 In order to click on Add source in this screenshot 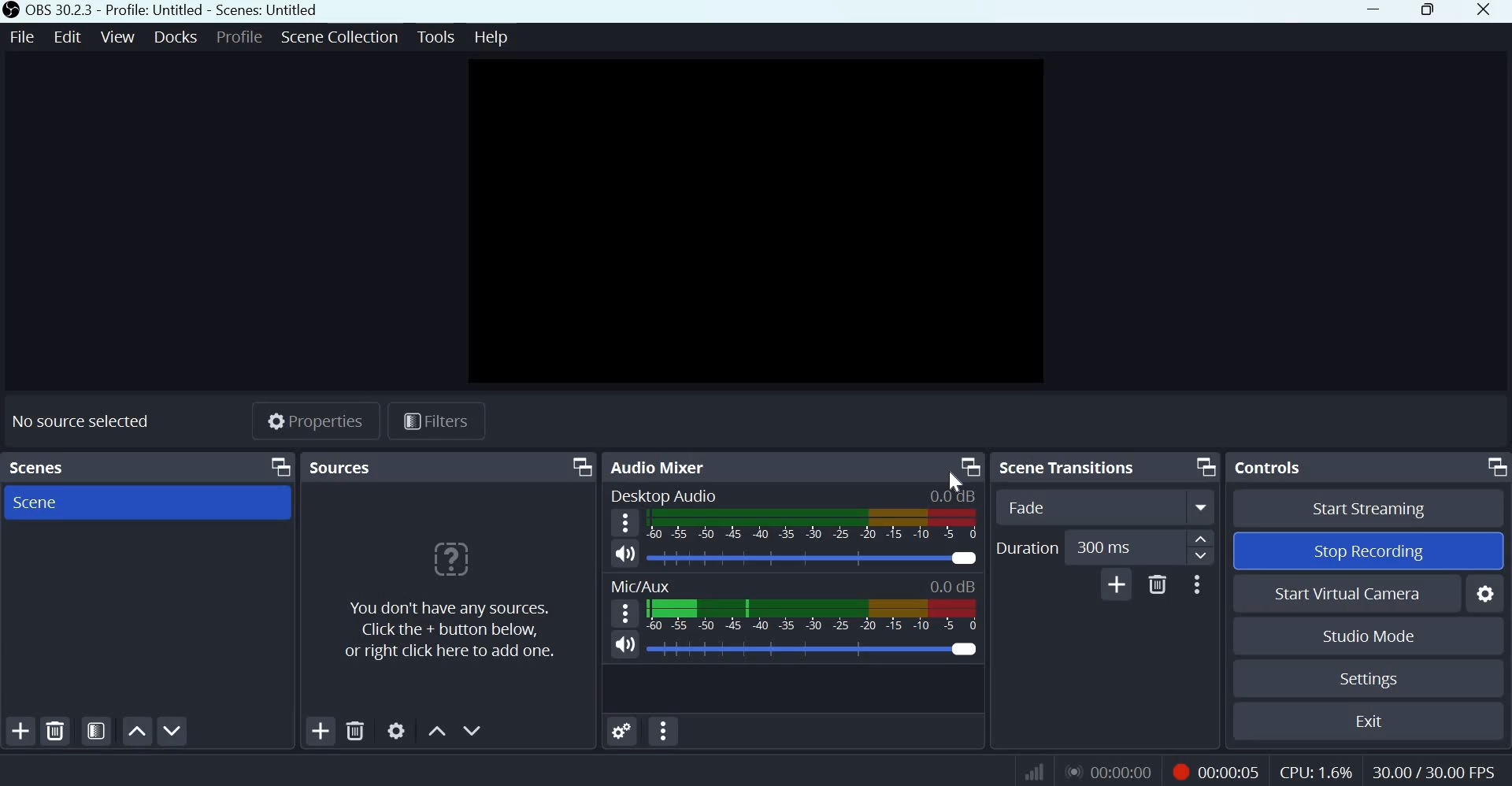, I will do `click(321, 731)`.